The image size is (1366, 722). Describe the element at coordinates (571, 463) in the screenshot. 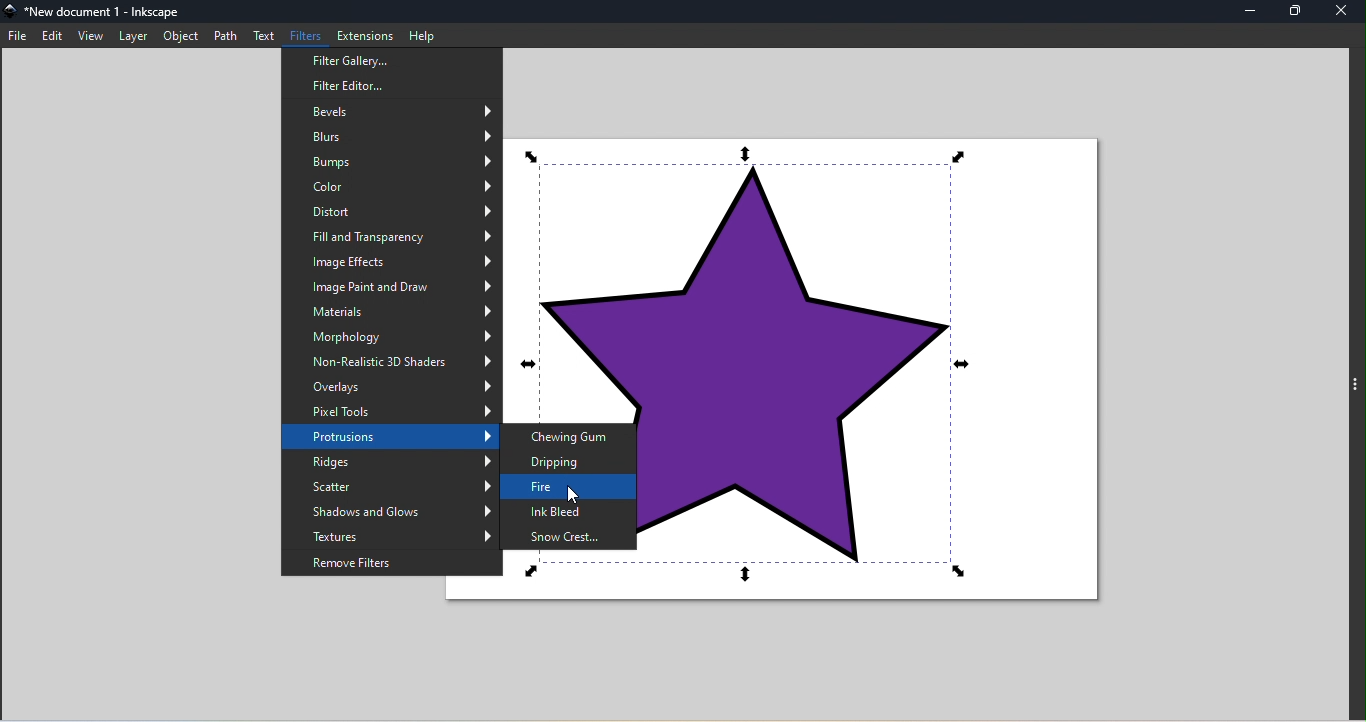

I see `Dripping` at that location.